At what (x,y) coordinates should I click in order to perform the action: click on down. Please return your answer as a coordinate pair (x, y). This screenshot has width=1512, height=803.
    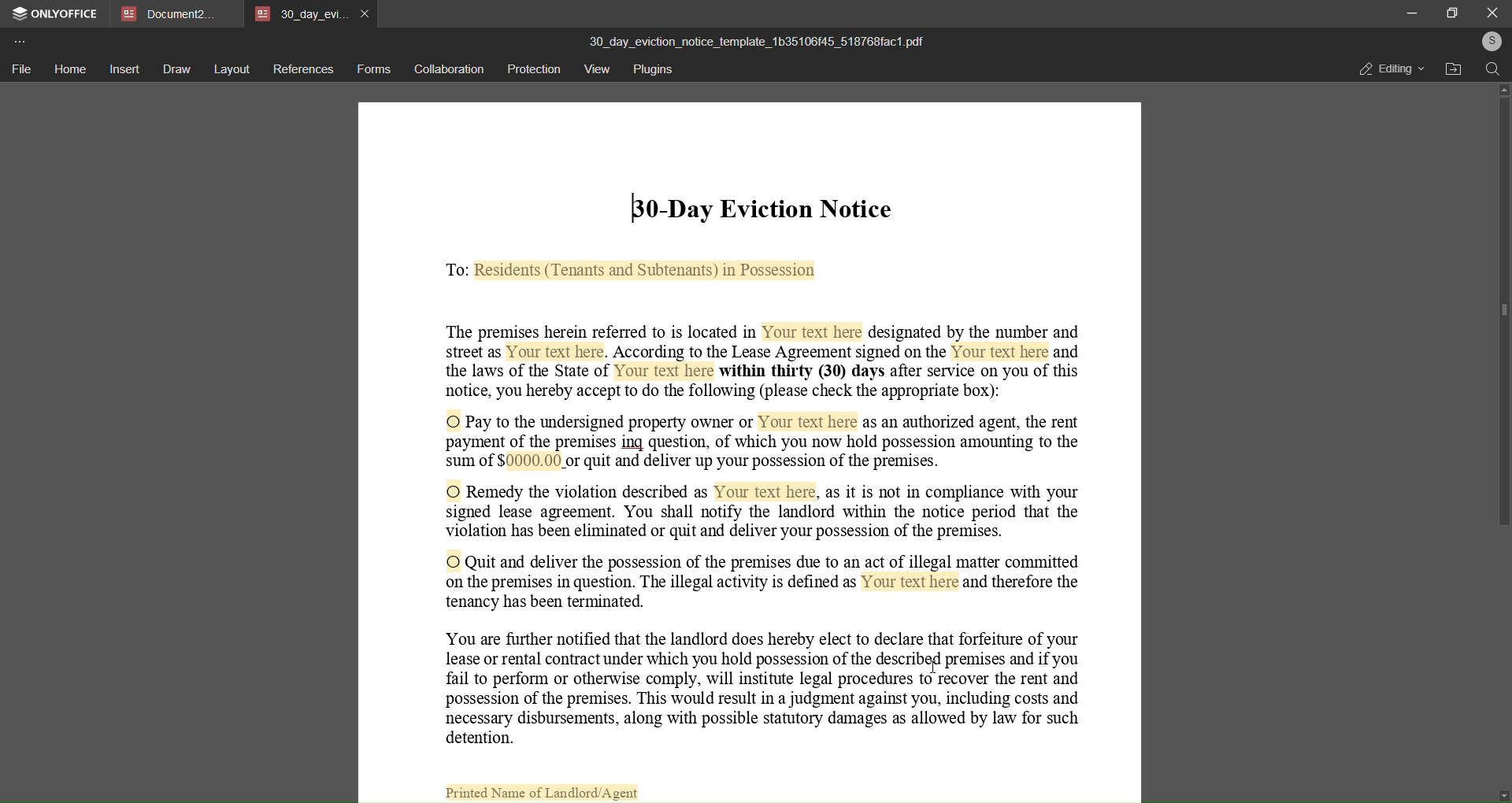
    Looking at the image, I should click on (1501, 792).